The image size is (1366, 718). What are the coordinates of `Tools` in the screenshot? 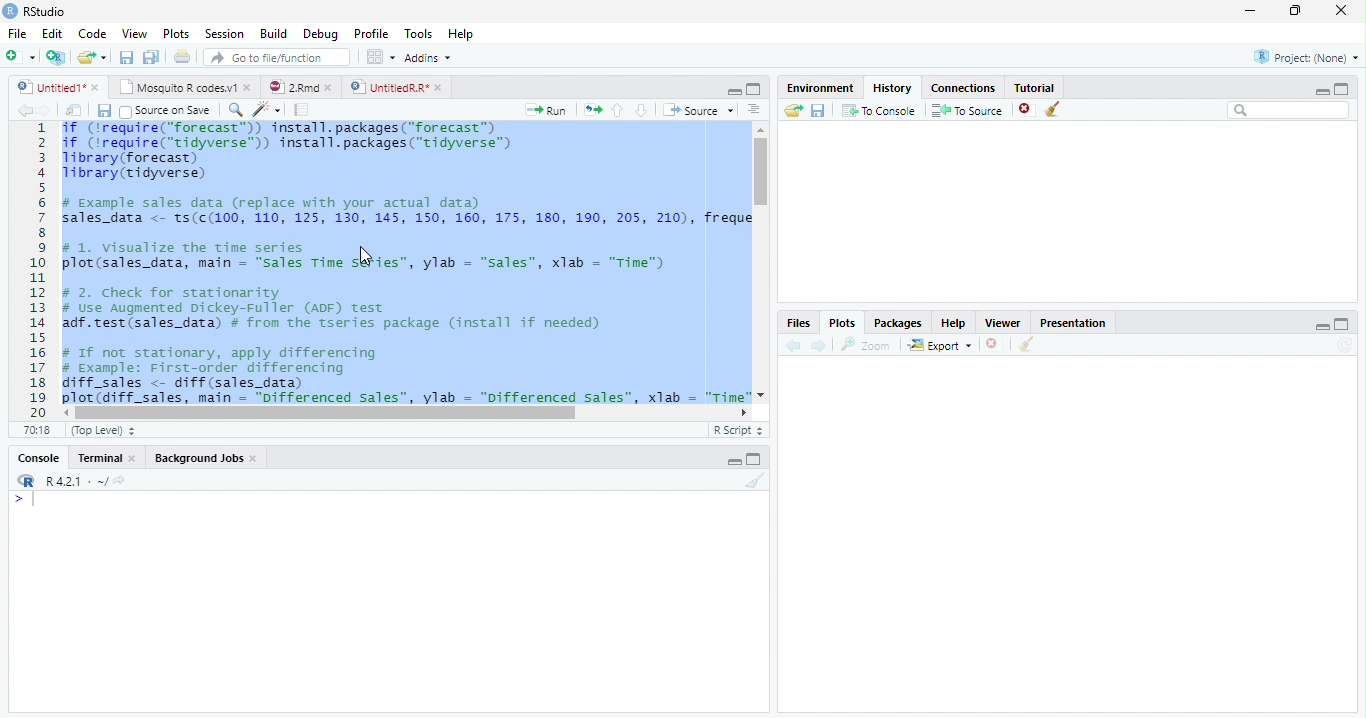 It's located at (417, 33).